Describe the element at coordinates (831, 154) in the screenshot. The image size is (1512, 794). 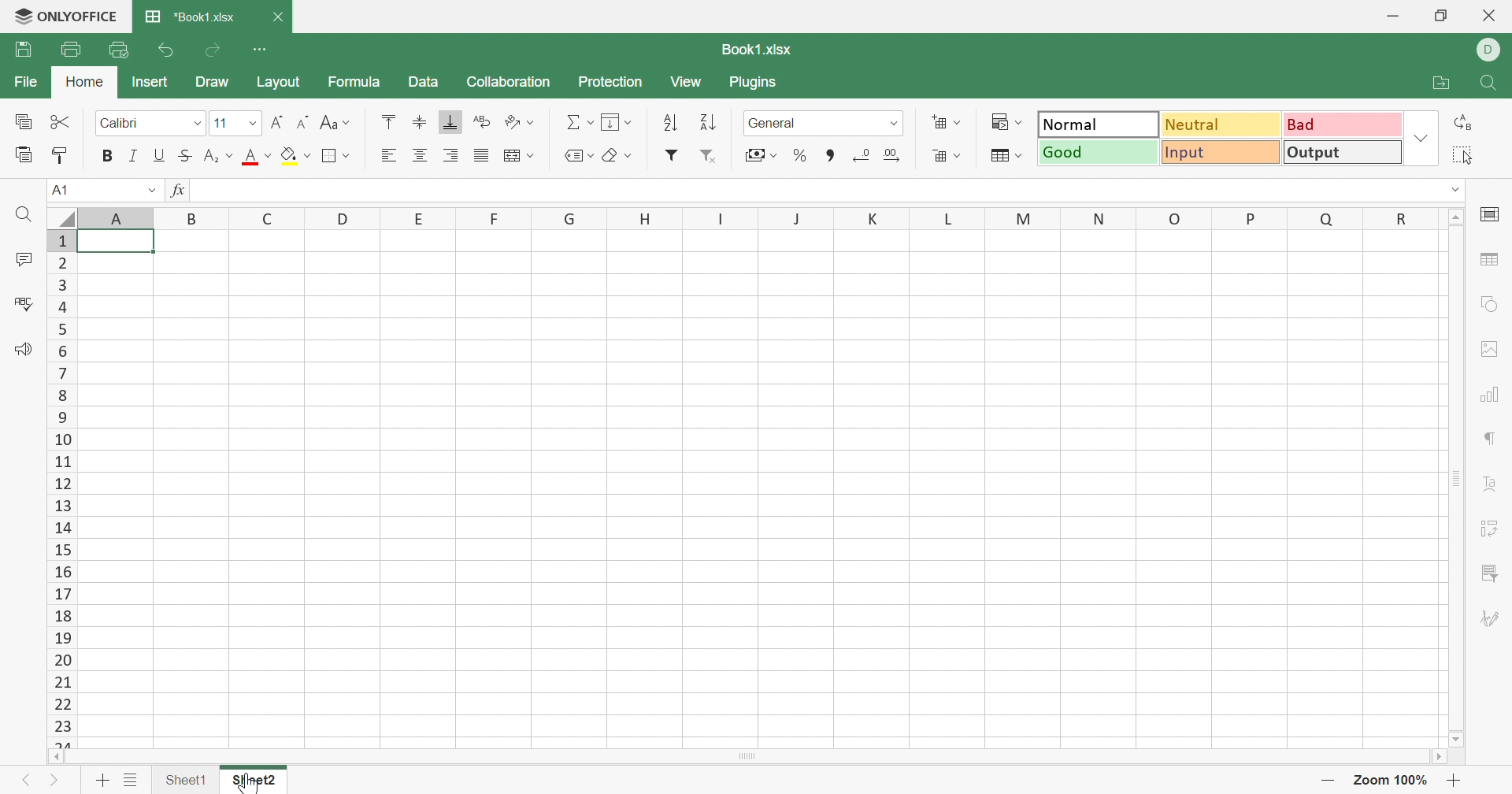
I see `Comma style` at that location.